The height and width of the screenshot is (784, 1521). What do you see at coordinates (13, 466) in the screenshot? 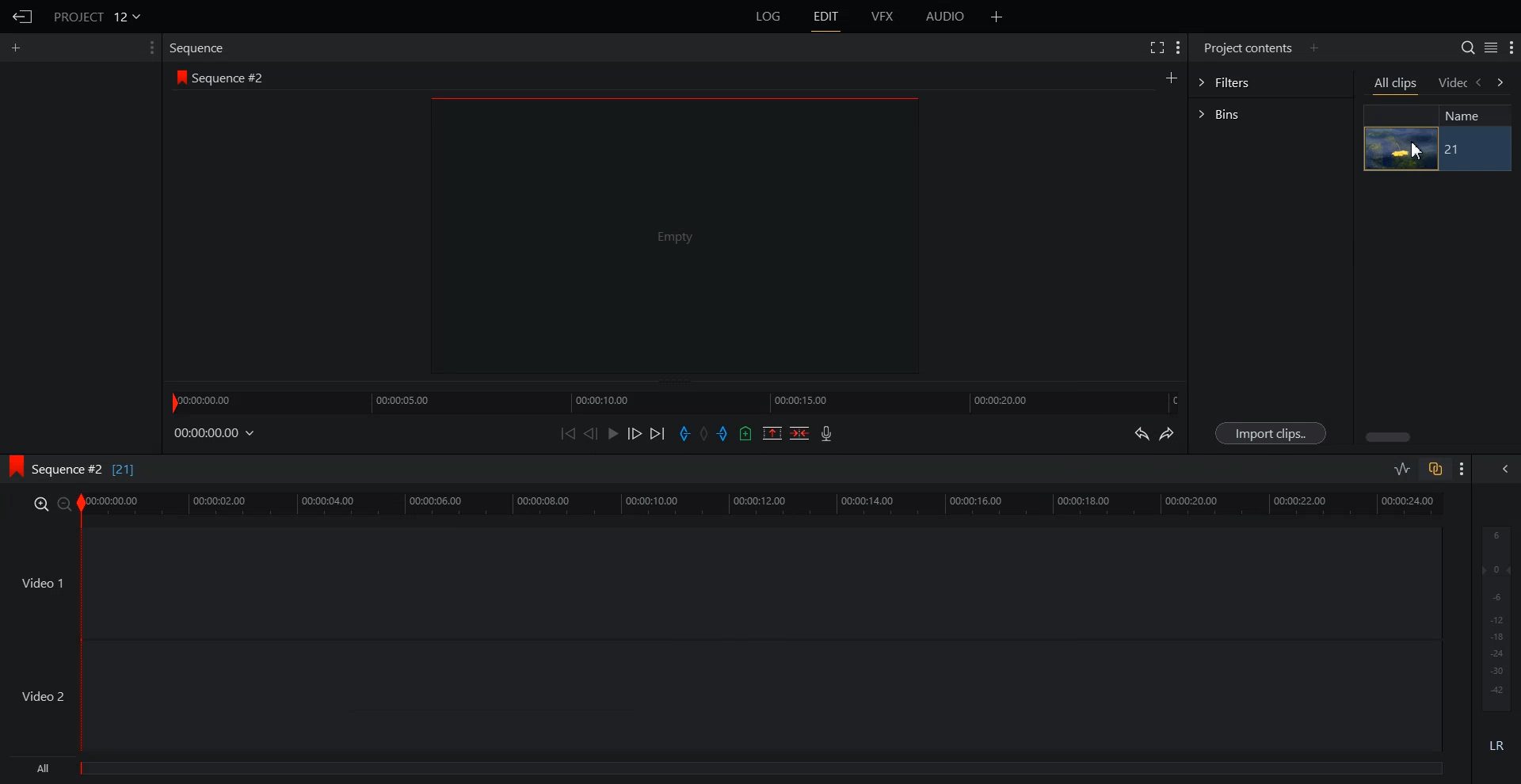
I see `logo` at bounding box center [13, 466].